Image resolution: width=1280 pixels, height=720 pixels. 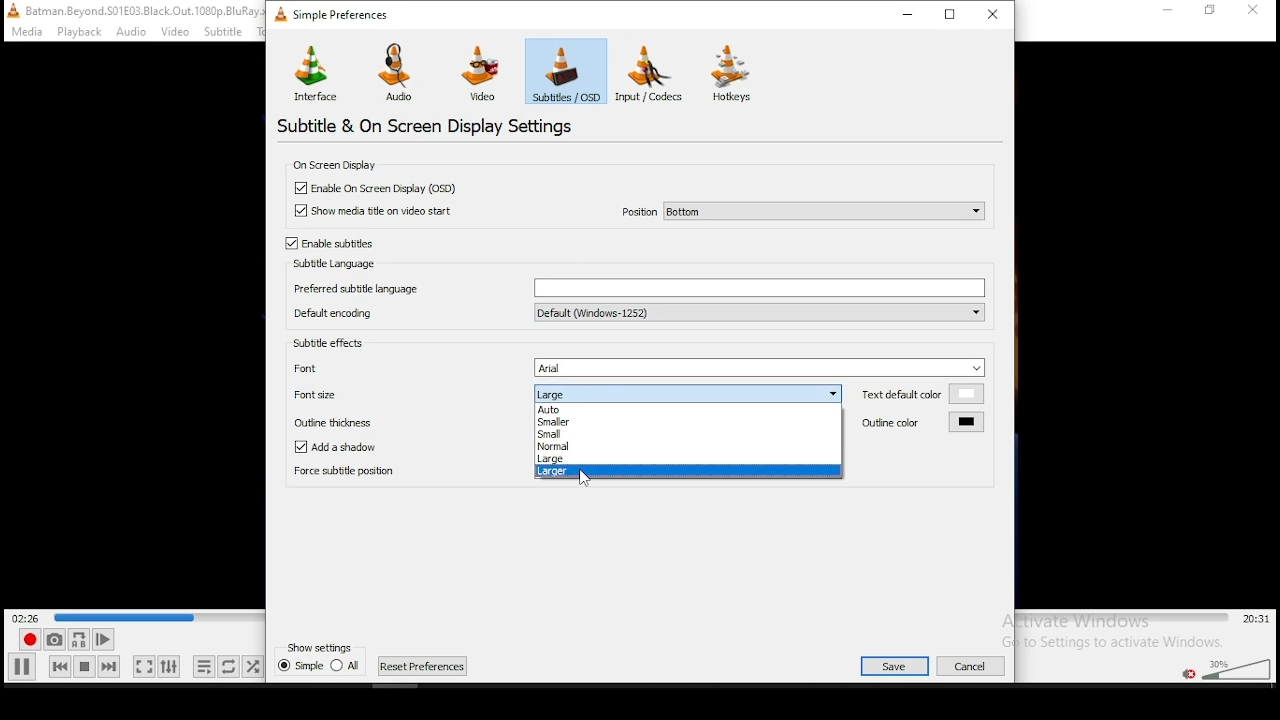 I want to click on Next media in playlist, skips forward when held, so click(x=108, y=667).